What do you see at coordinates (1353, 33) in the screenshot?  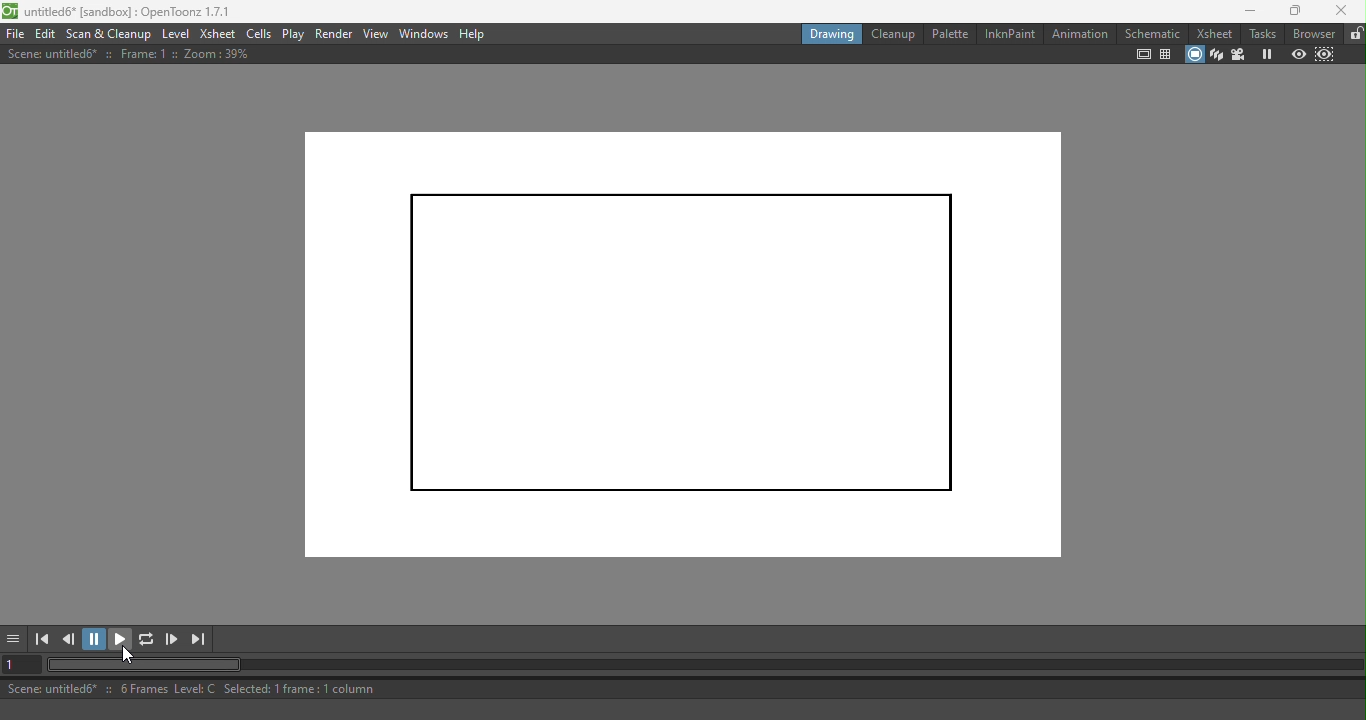 I see `Lock rooms tab` at bounding box center [1353, 33].